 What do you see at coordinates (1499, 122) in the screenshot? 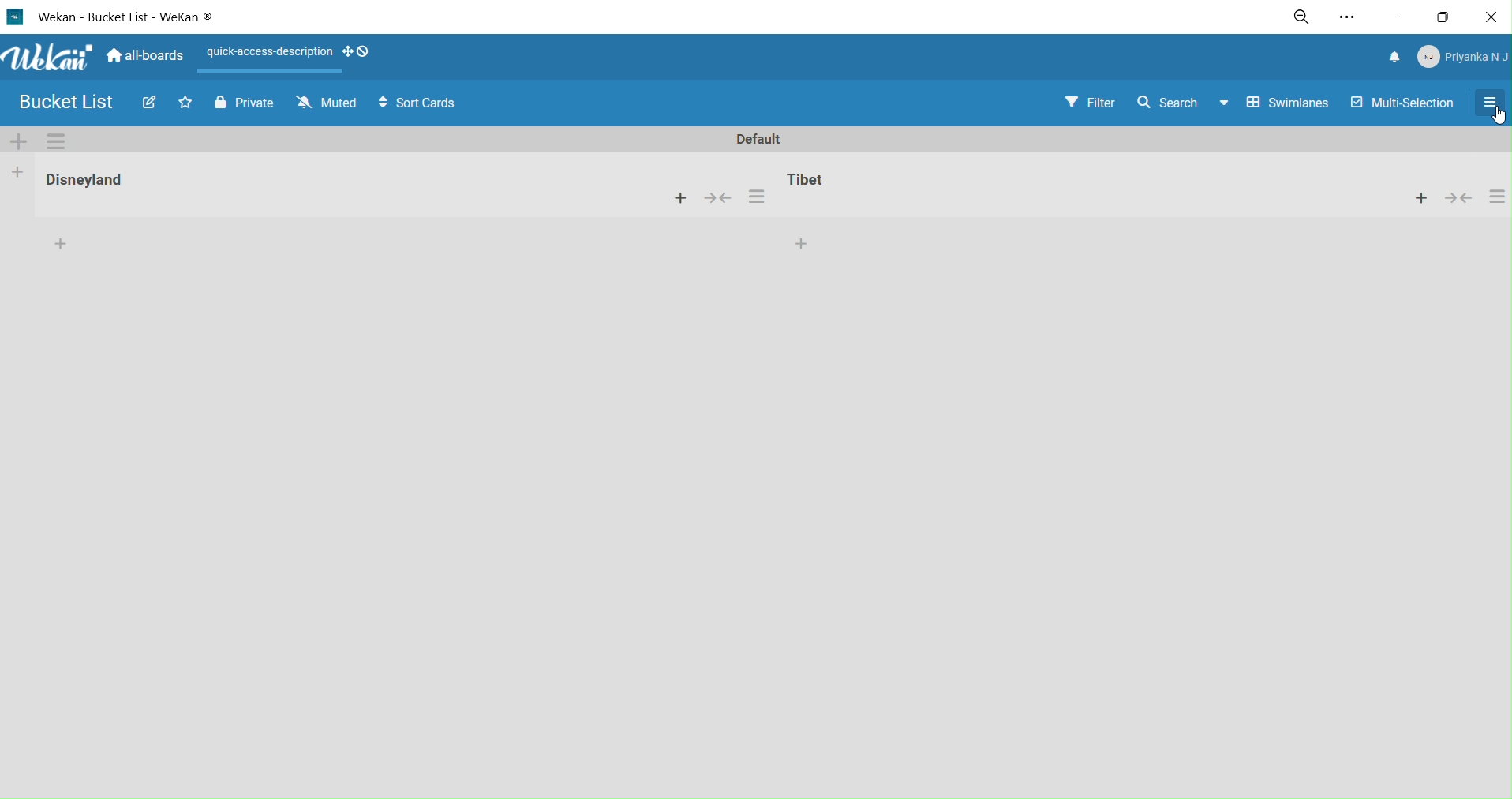
I see `cursor` at bounding box center [1499, 122].